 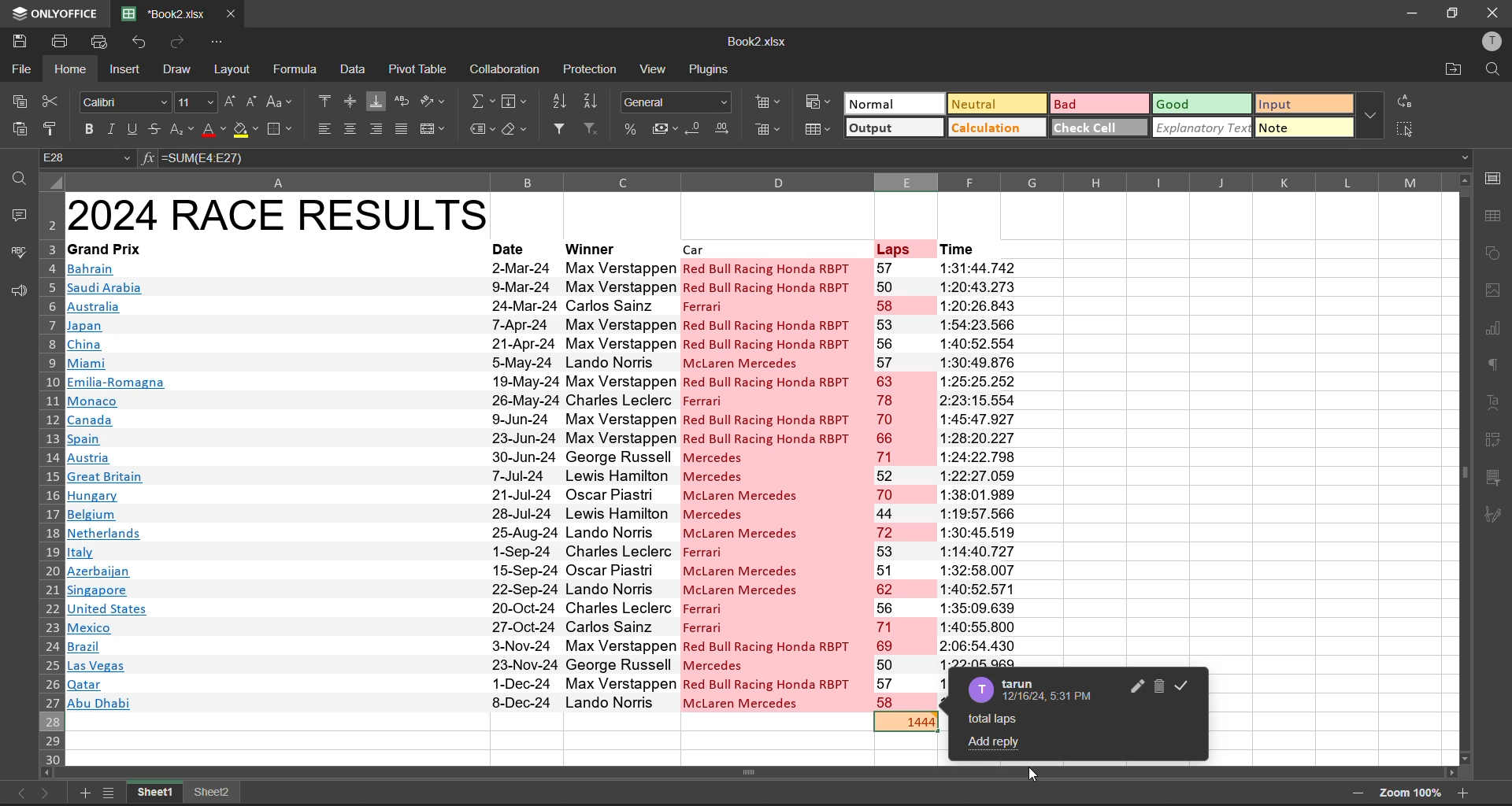 What do you see at coordinates (98, 41) in the screenshot?
I see `quick print` at bounding box center [98, 41].